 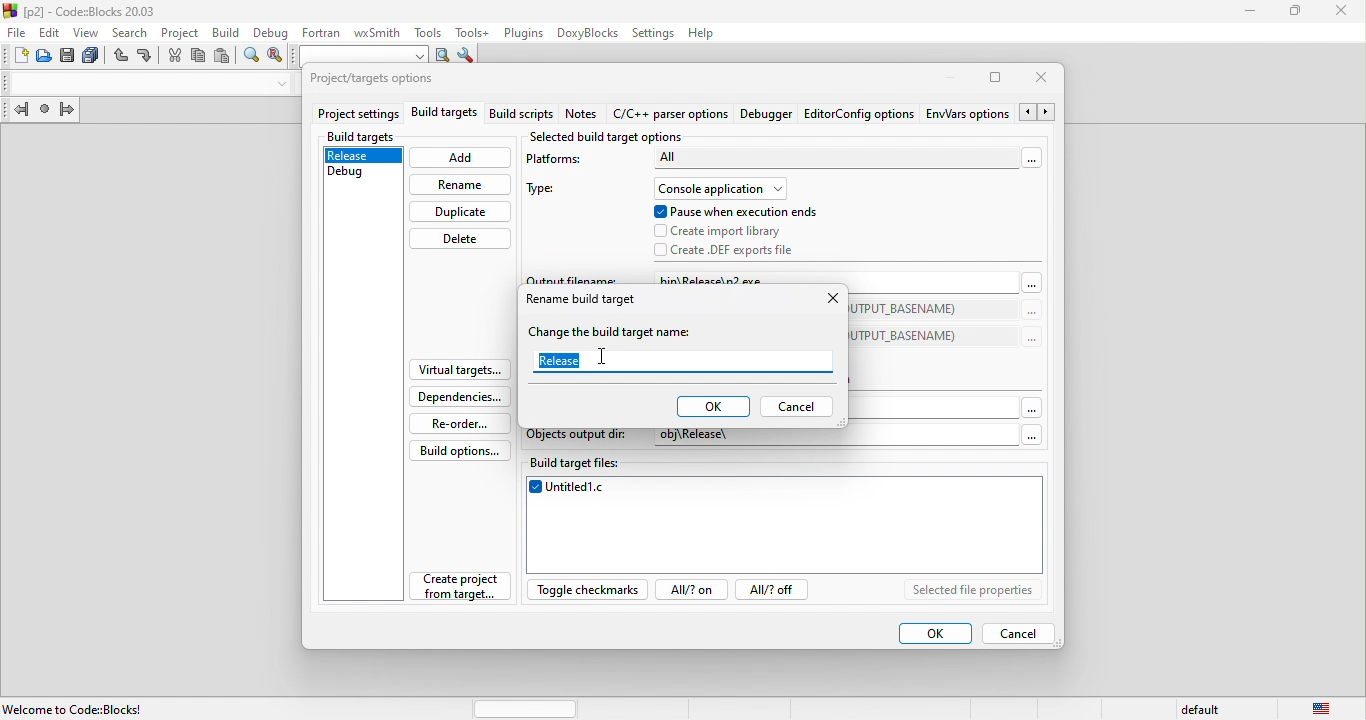 What do you see at coordinates (745, 279) in the screenshot?
I see `bin\Release\p2.exe` at bounding box center [745, 279].